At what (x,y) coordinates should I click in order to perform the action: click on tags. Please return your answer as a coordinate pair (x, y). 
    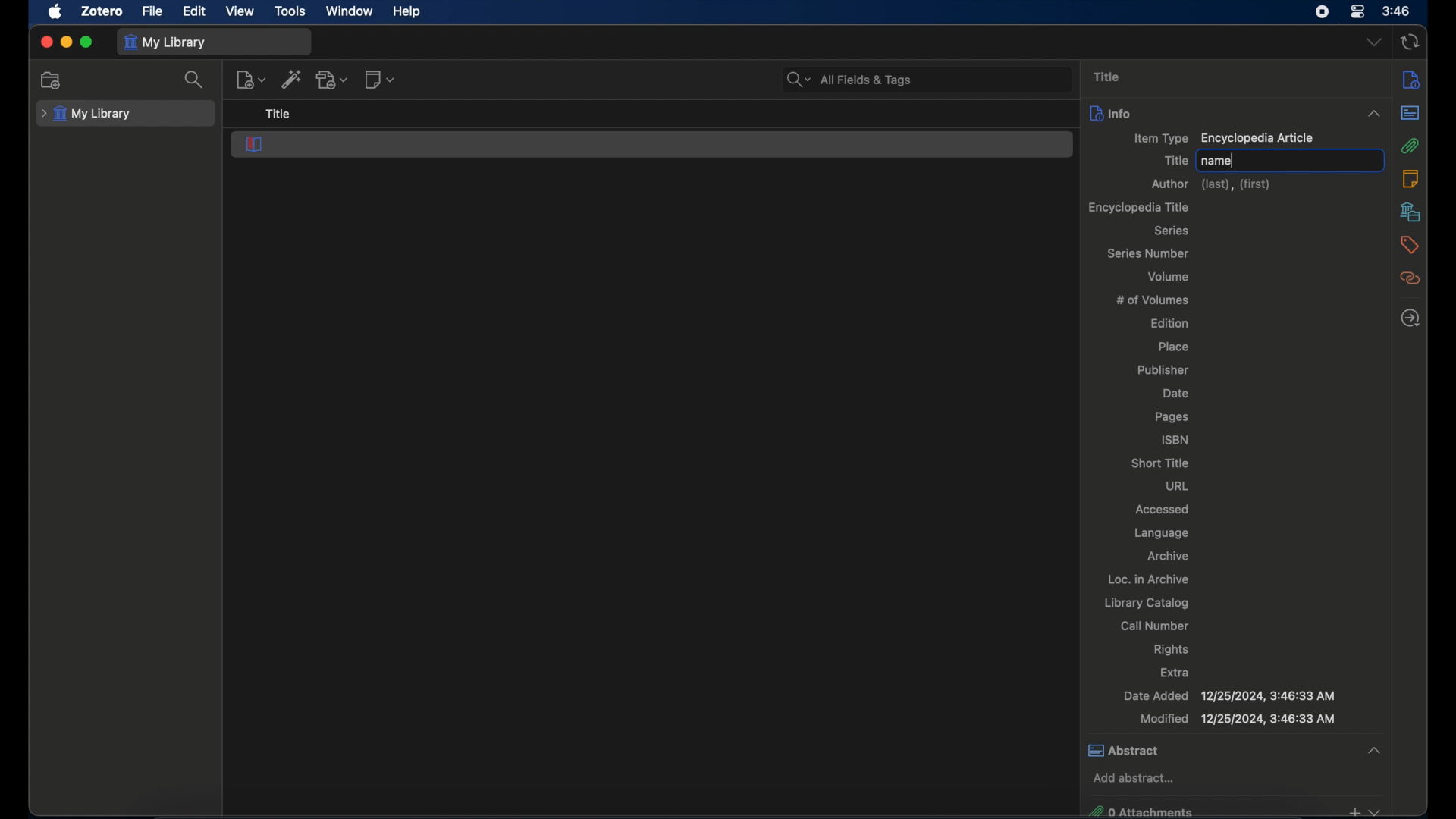
    Looking at the image, I should click on (1410, 245).